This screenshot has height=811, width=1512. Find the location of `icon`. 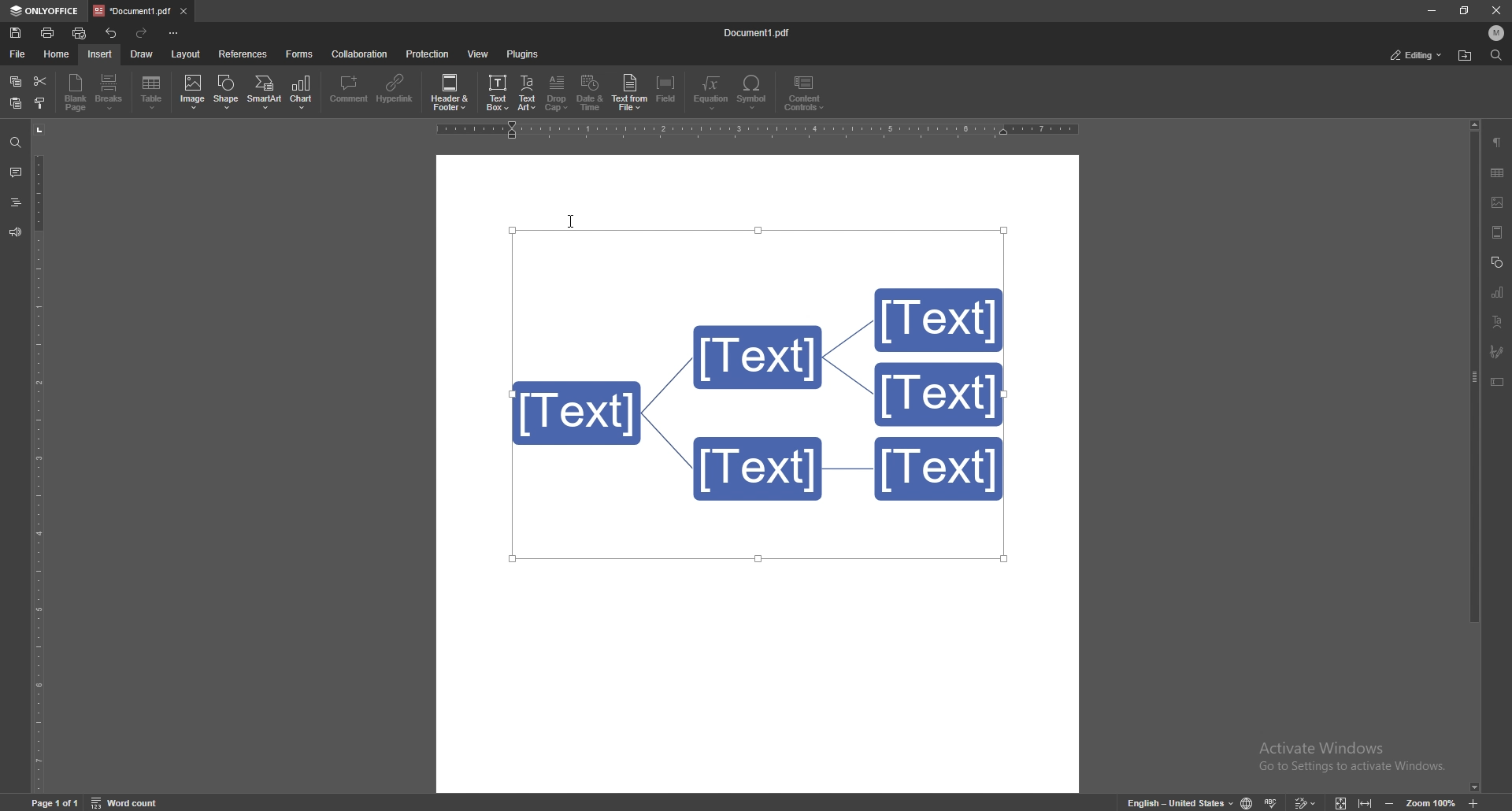

icon is located at coordinates (1365, 802).